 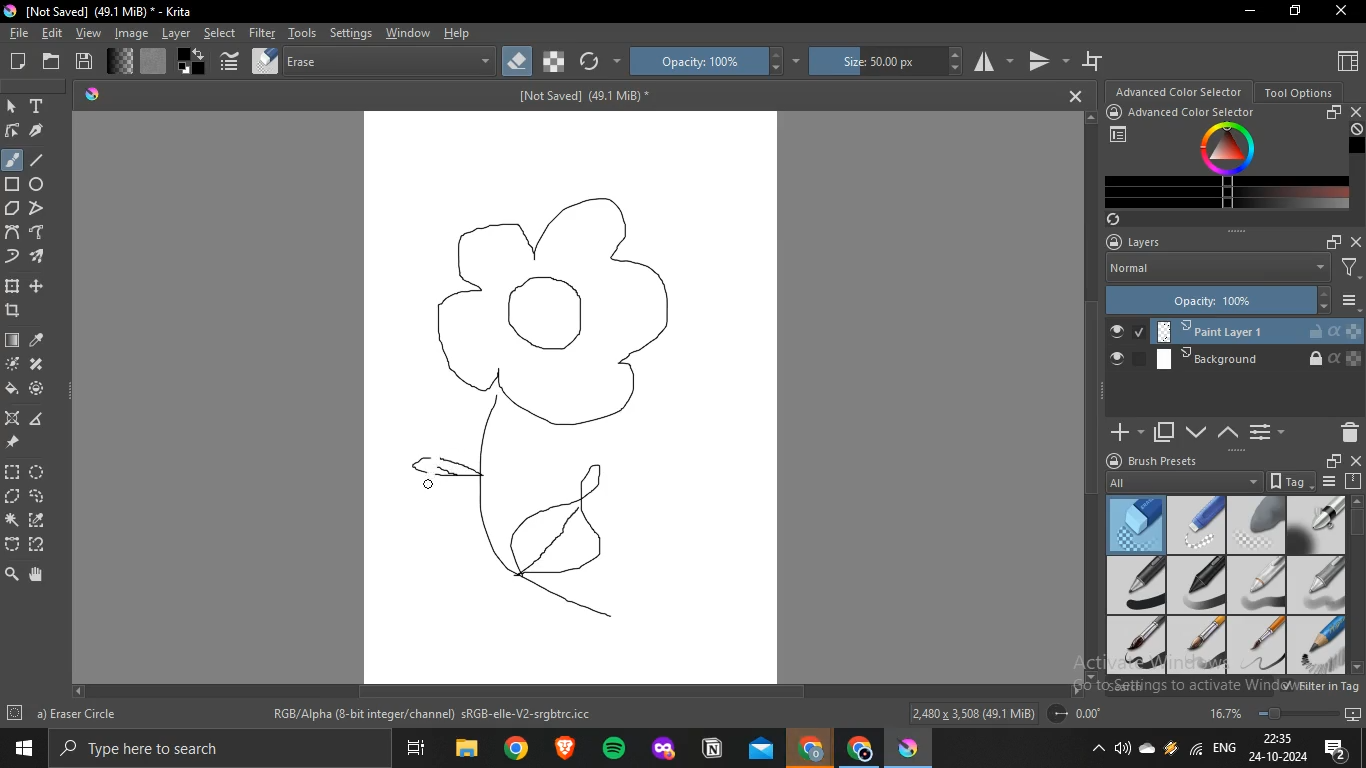 What do you see at coordinates (21, 62) in the screenshot?
I see `create new document` at bounding box center [21, 62].